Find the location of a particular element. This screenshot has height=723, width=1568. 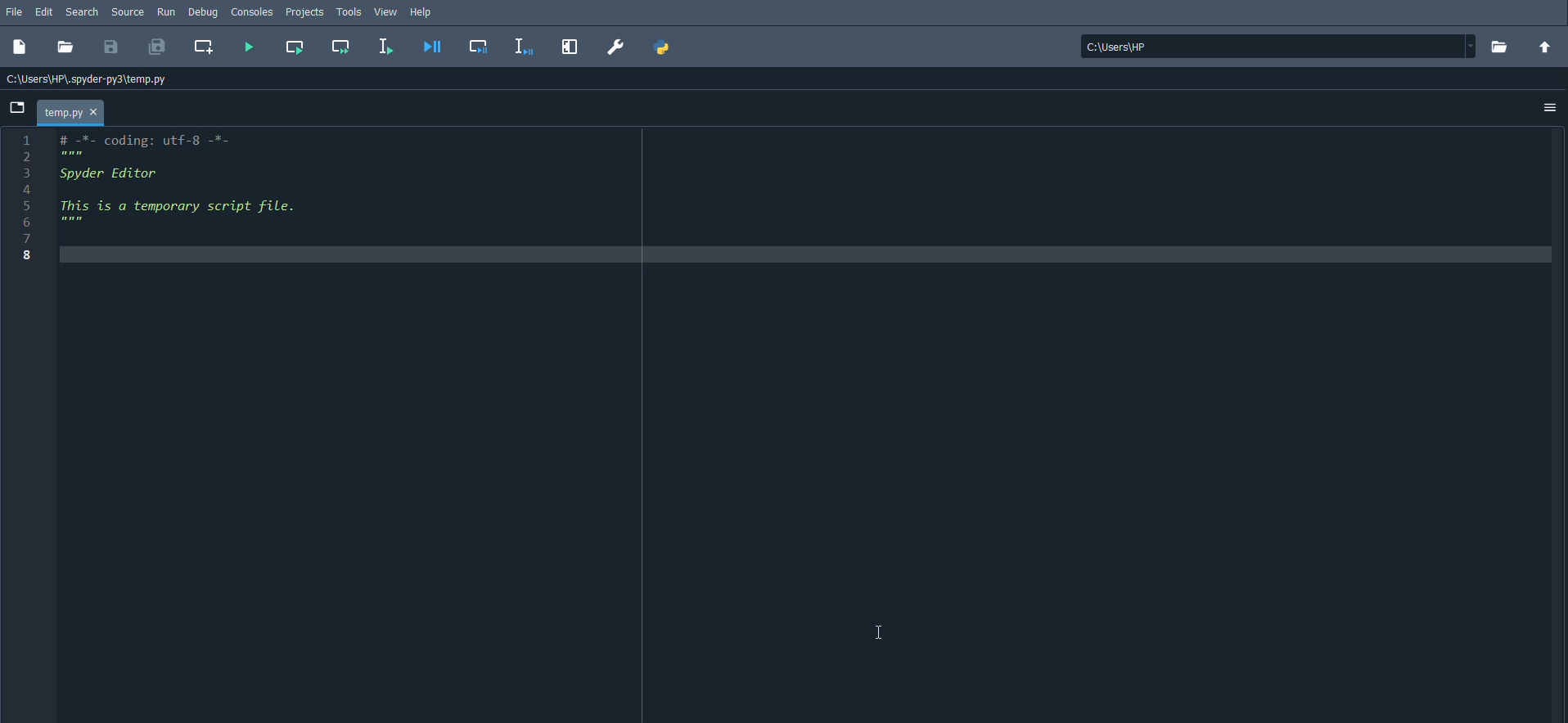

Browse a working directory is located at coordinates (1499, 46).